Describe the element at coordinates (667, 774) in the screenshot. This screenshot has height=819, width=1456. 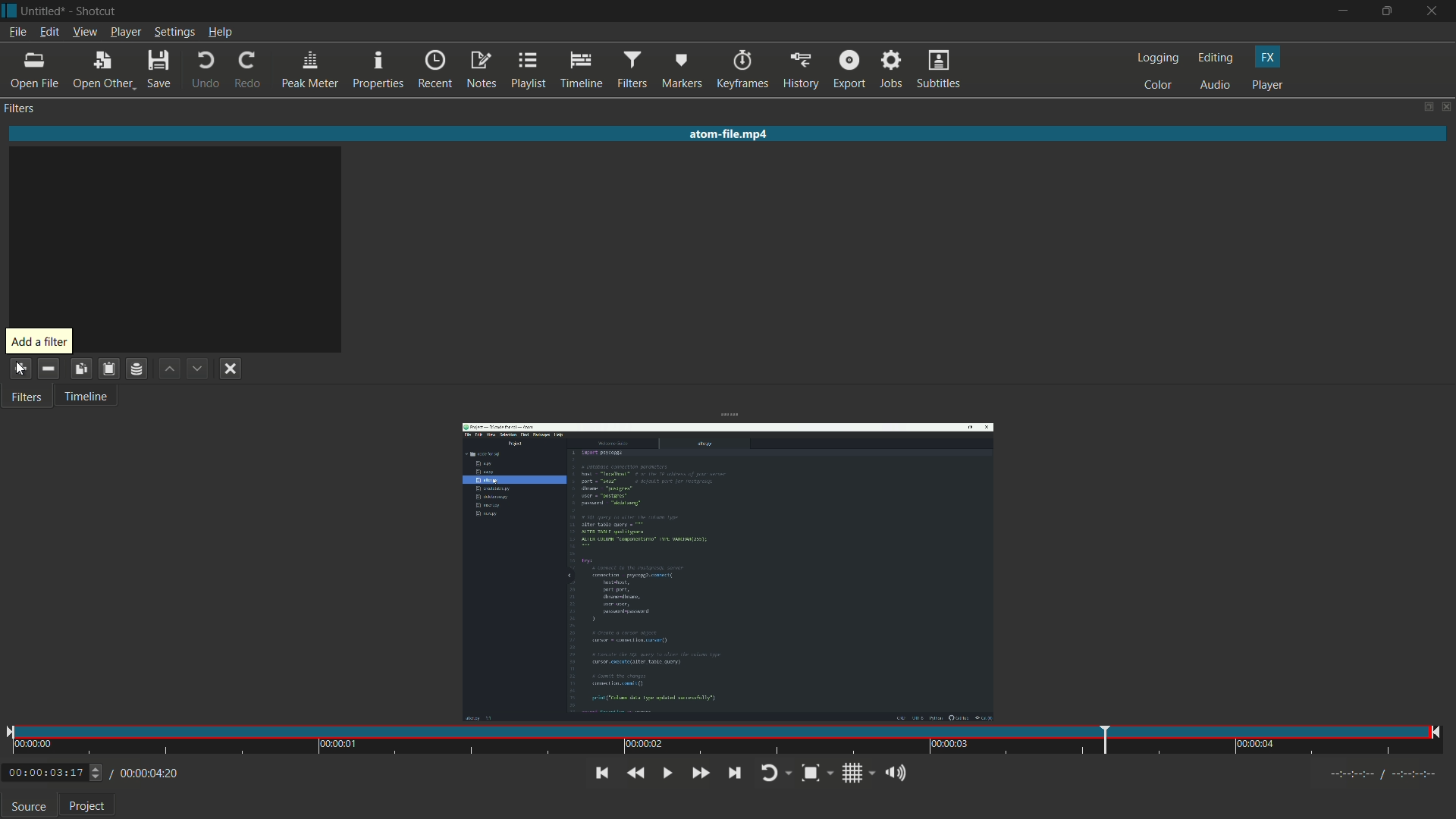
I see `toggle play or pause` at that location.